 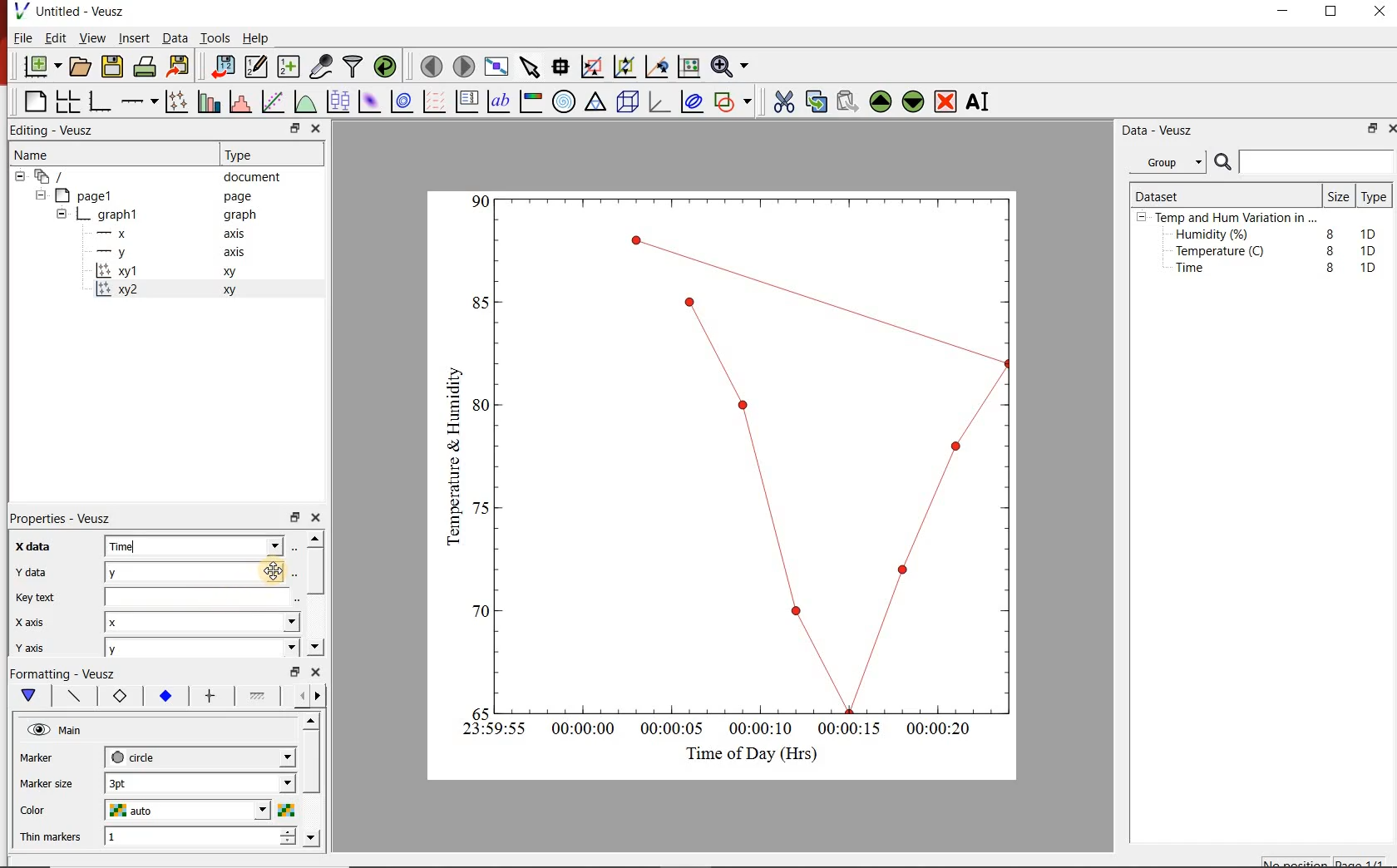 I want to click on Untitled - Veusz, so click(x=74, y=11).